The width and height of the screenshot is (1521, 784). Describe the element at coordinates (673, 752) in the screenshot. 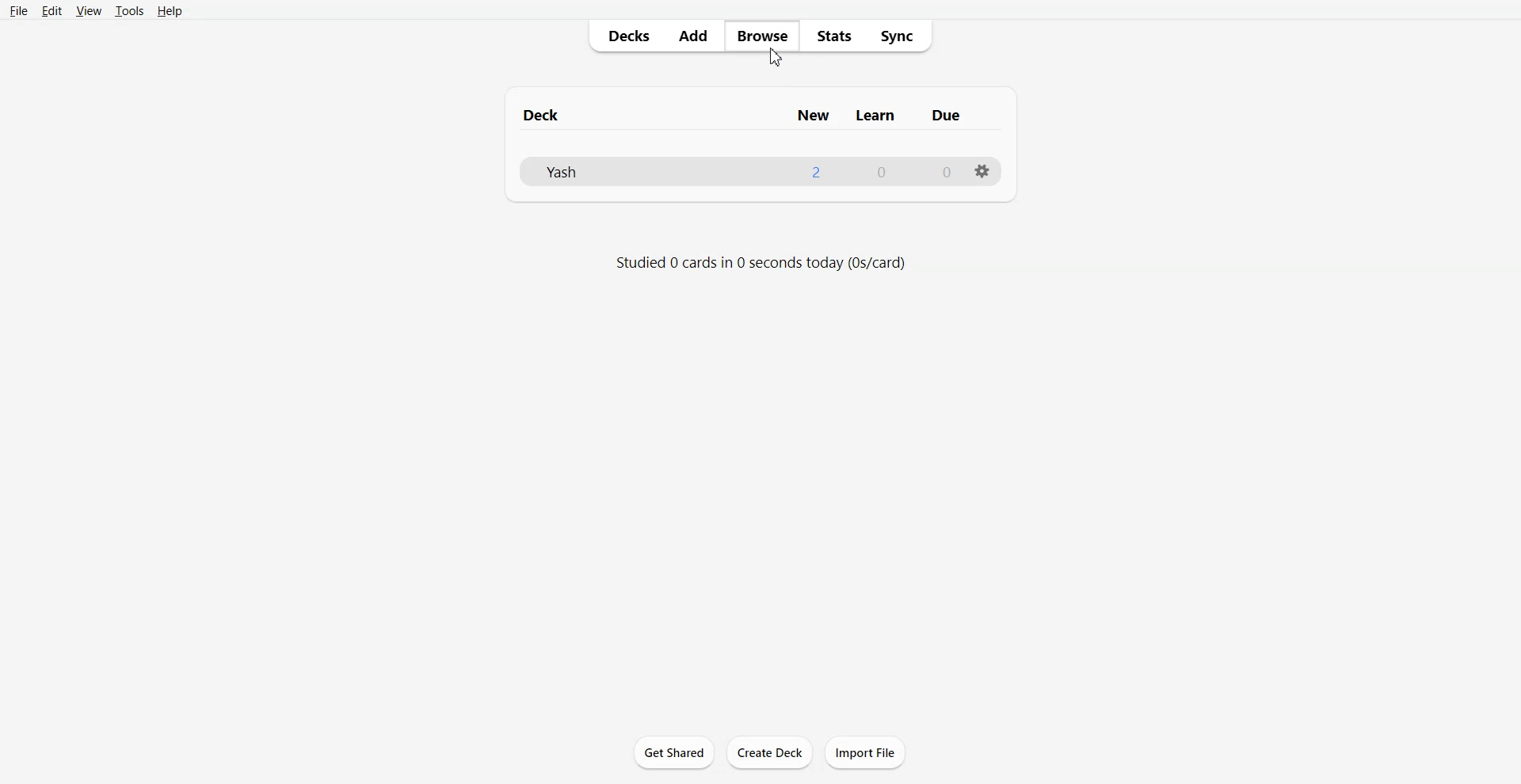

I see `Get Shared` at that location.